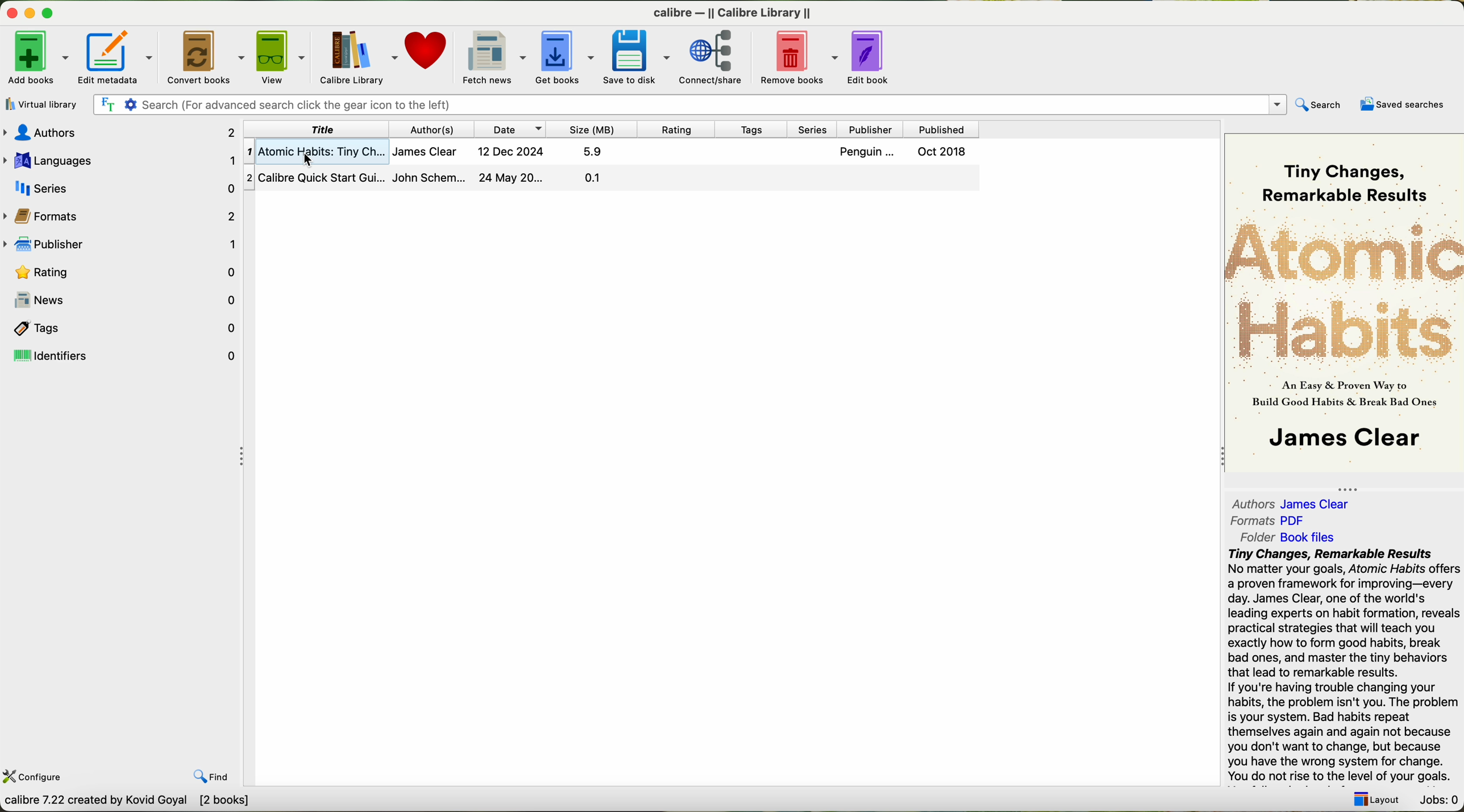 The image size is (1464, 812). What do you see at coordinates (1376, 799) in the screenshot?
I see `layout` at bounding box center [1376, 799].